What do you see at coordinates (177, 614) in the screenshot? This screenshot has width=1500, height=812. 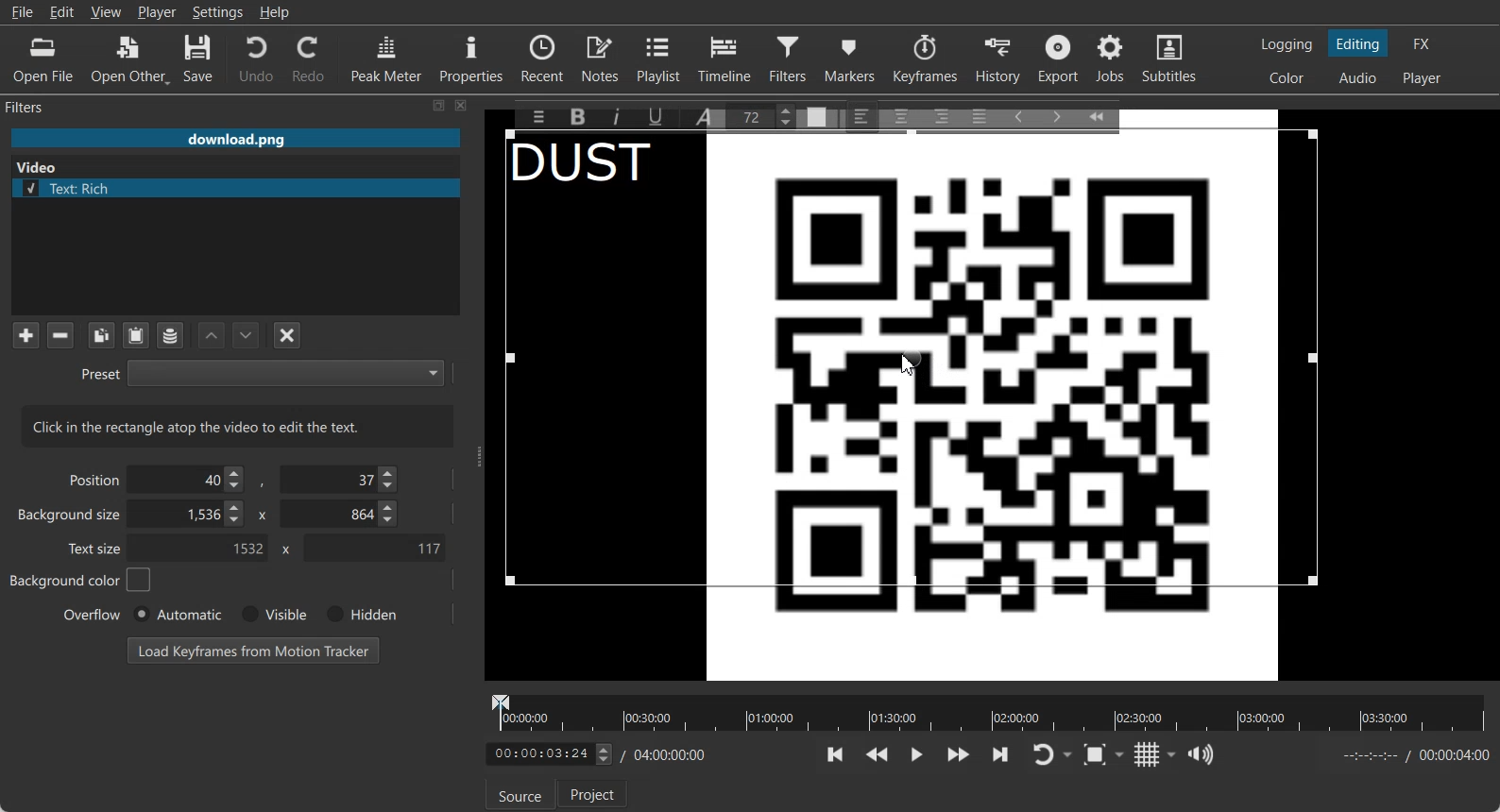 I see `Automatic` at bounding box center [177, 614].